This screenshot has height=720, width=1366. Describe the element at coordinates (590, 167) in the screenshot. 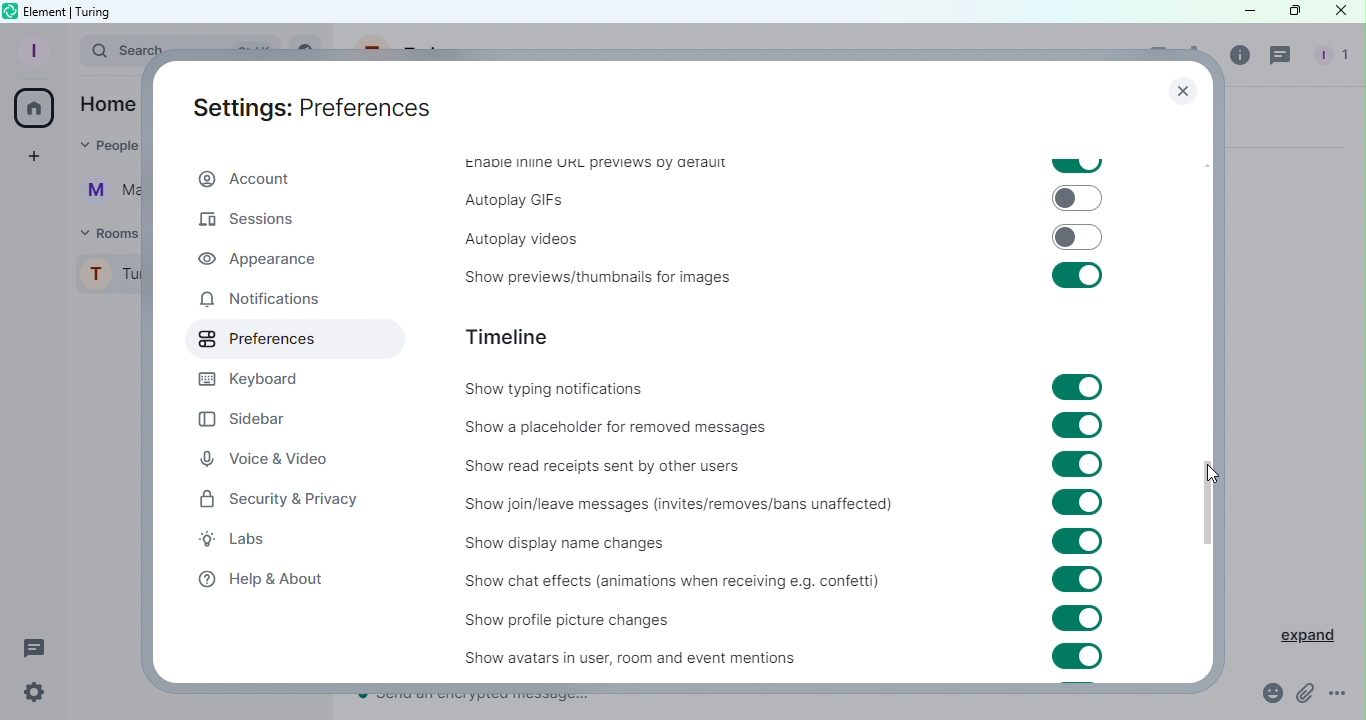

I see `Enable inline URL preview by default` at that location.